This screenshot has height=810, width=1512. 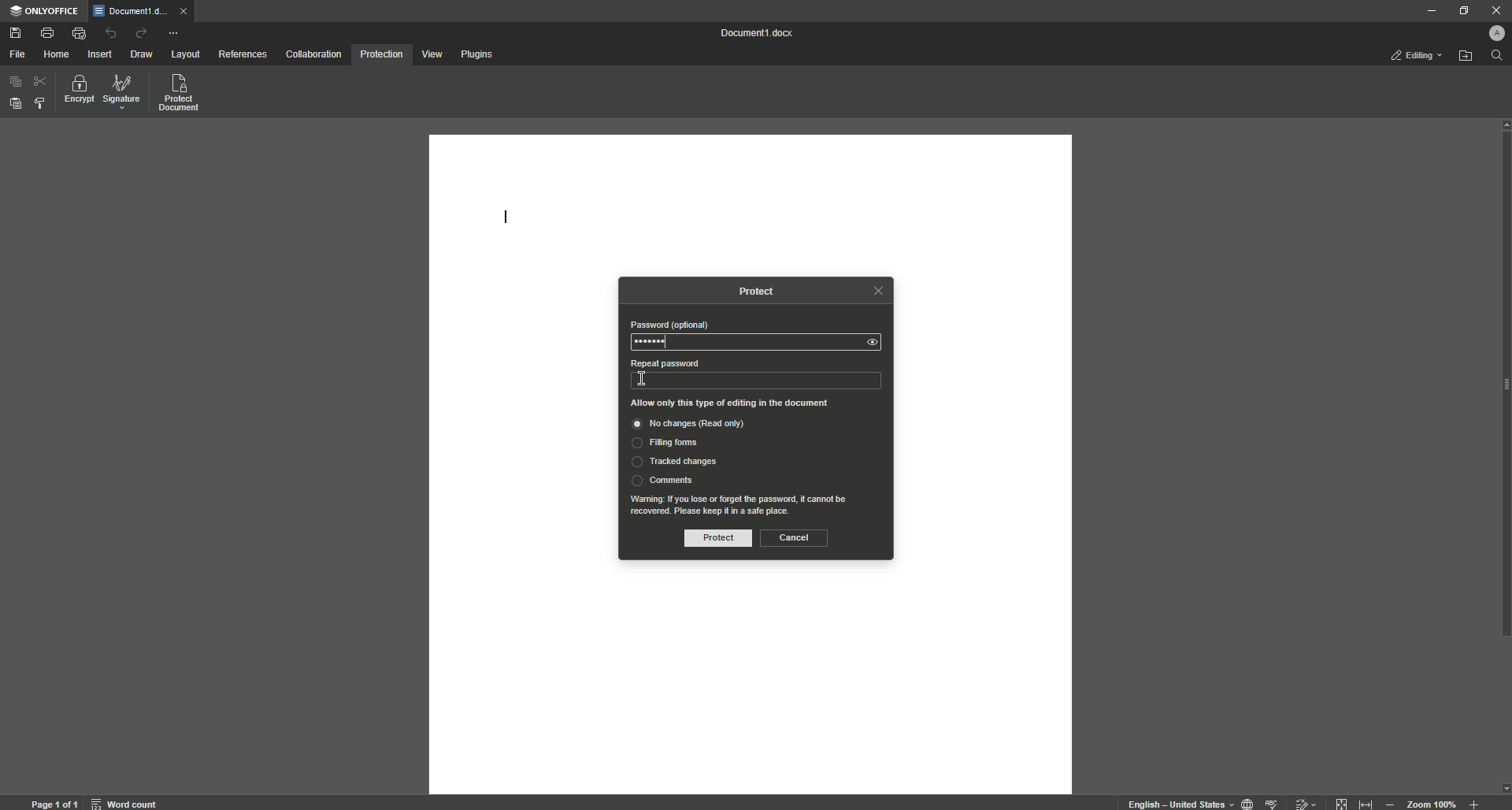 What do you see at coordinates (39, 105) in the screenshot?
I see `Select styles` at bounding box center [39, 105].